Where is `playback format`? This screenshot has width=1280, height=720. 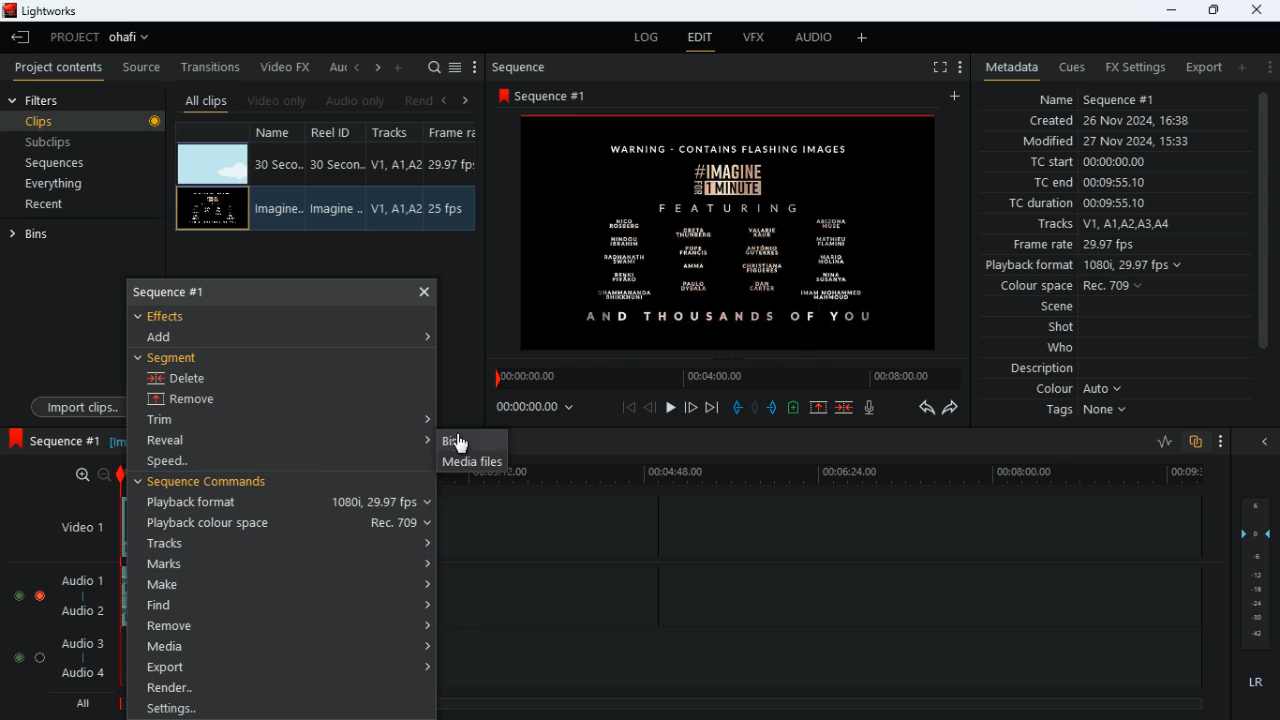 playback format is located at coordinates (1086, 265).